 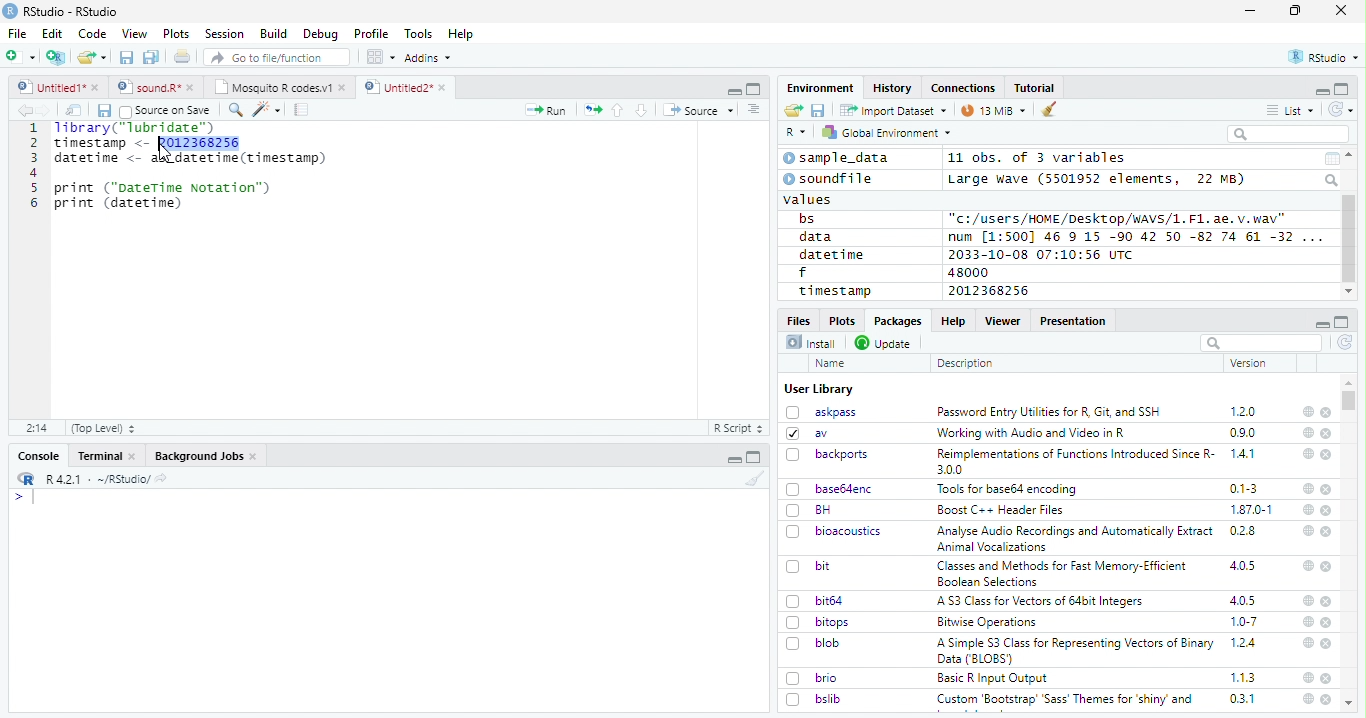 I want to click on close, so click(x=1328, y=644).